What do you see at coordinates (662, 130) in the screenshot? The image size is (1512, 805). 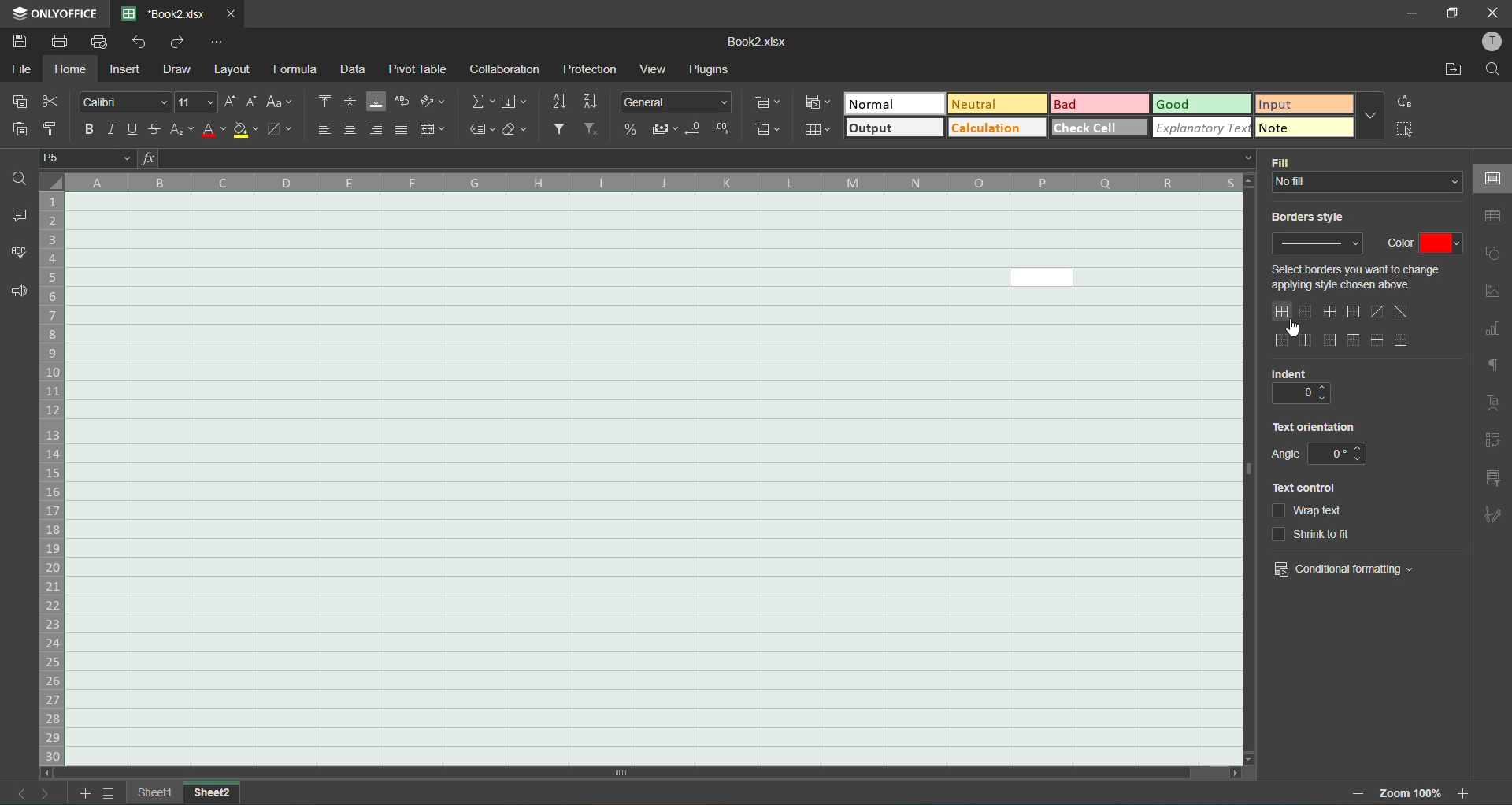 I see `accounting` at bounding box center [662, 130].